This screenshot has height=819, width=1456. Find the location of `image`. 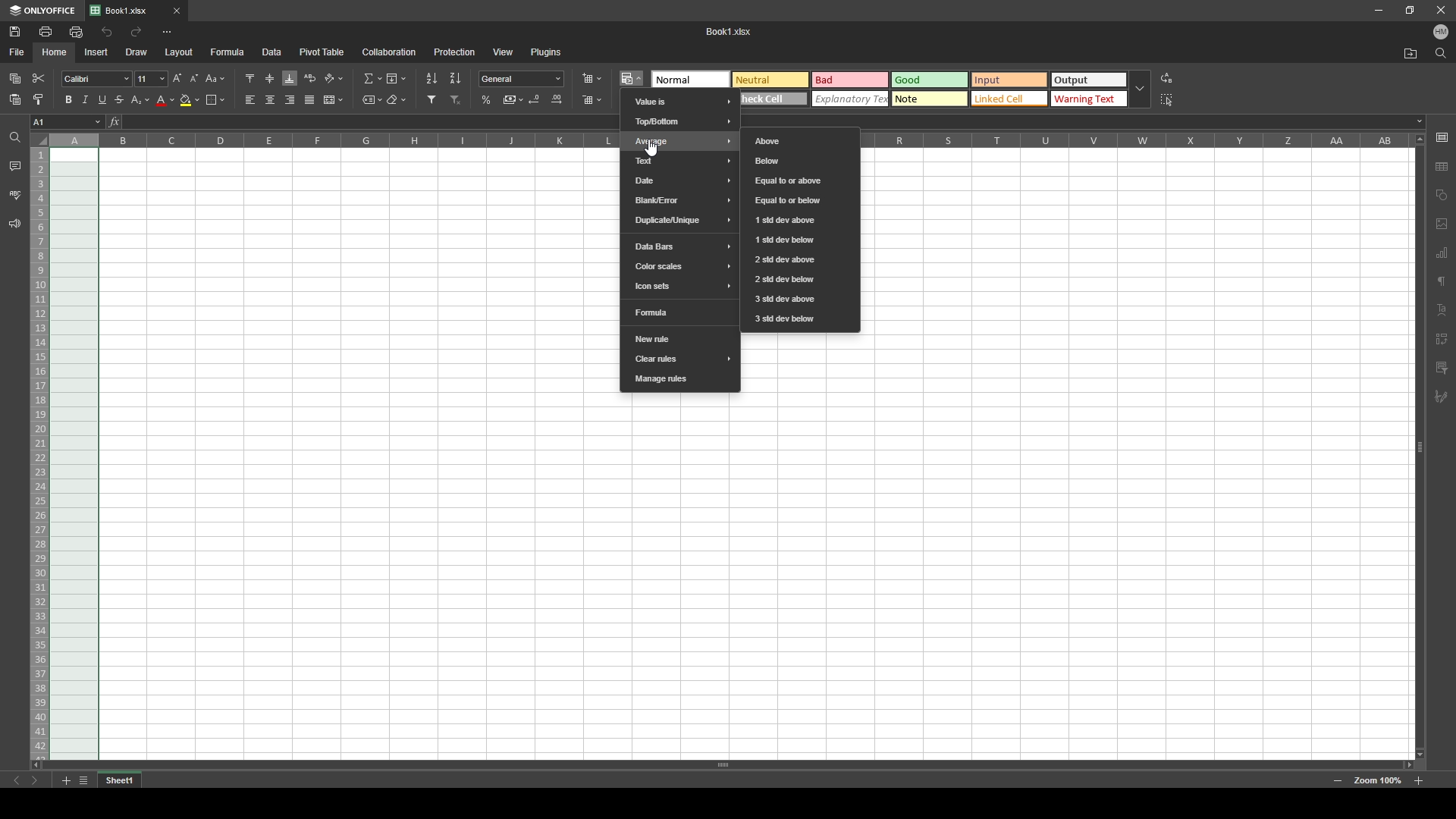

image is located at coordinates (1442, 224).